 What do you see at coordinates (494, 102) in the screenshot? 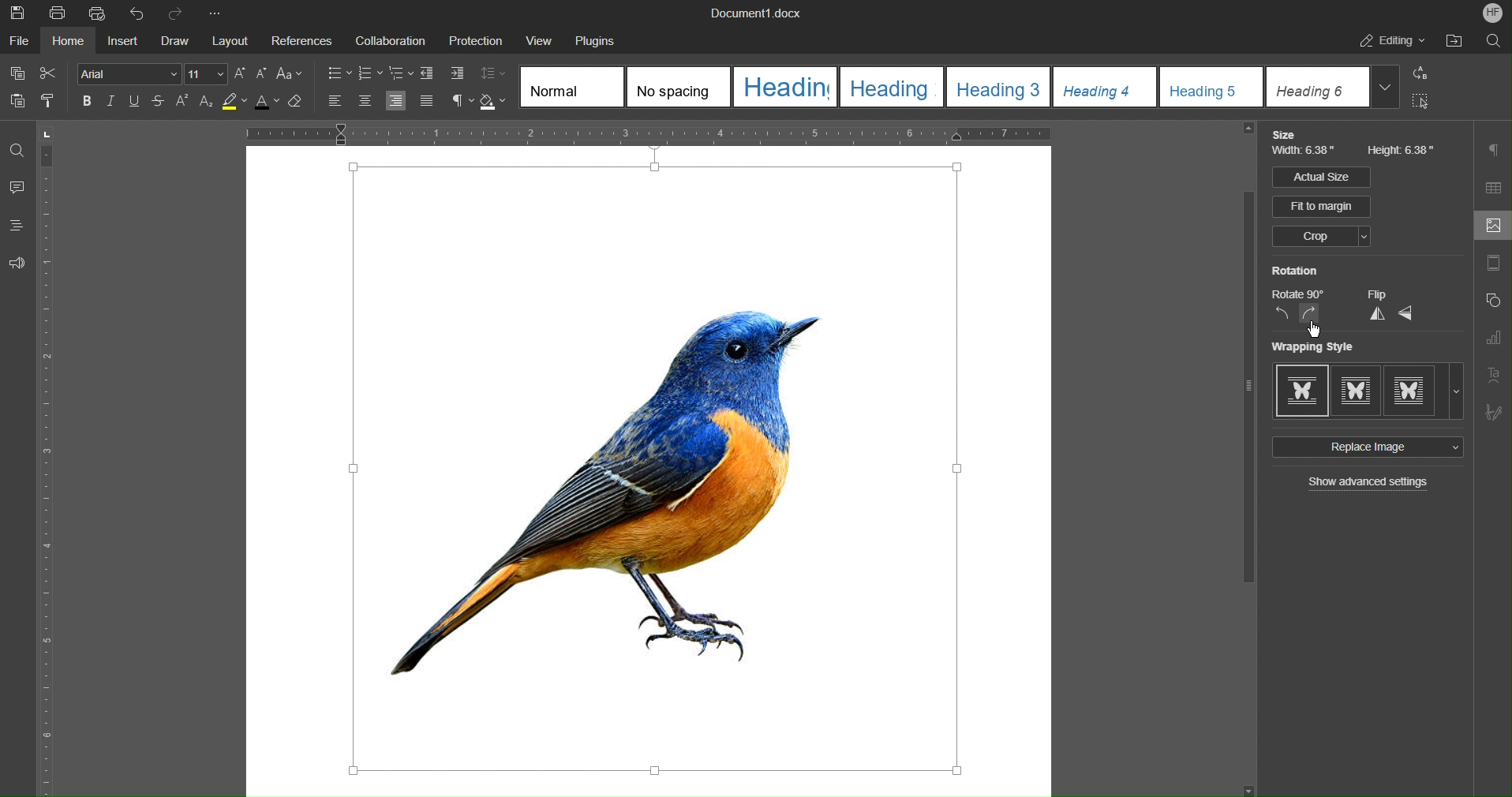
I see `Shading` at bounding box center [494, 102].